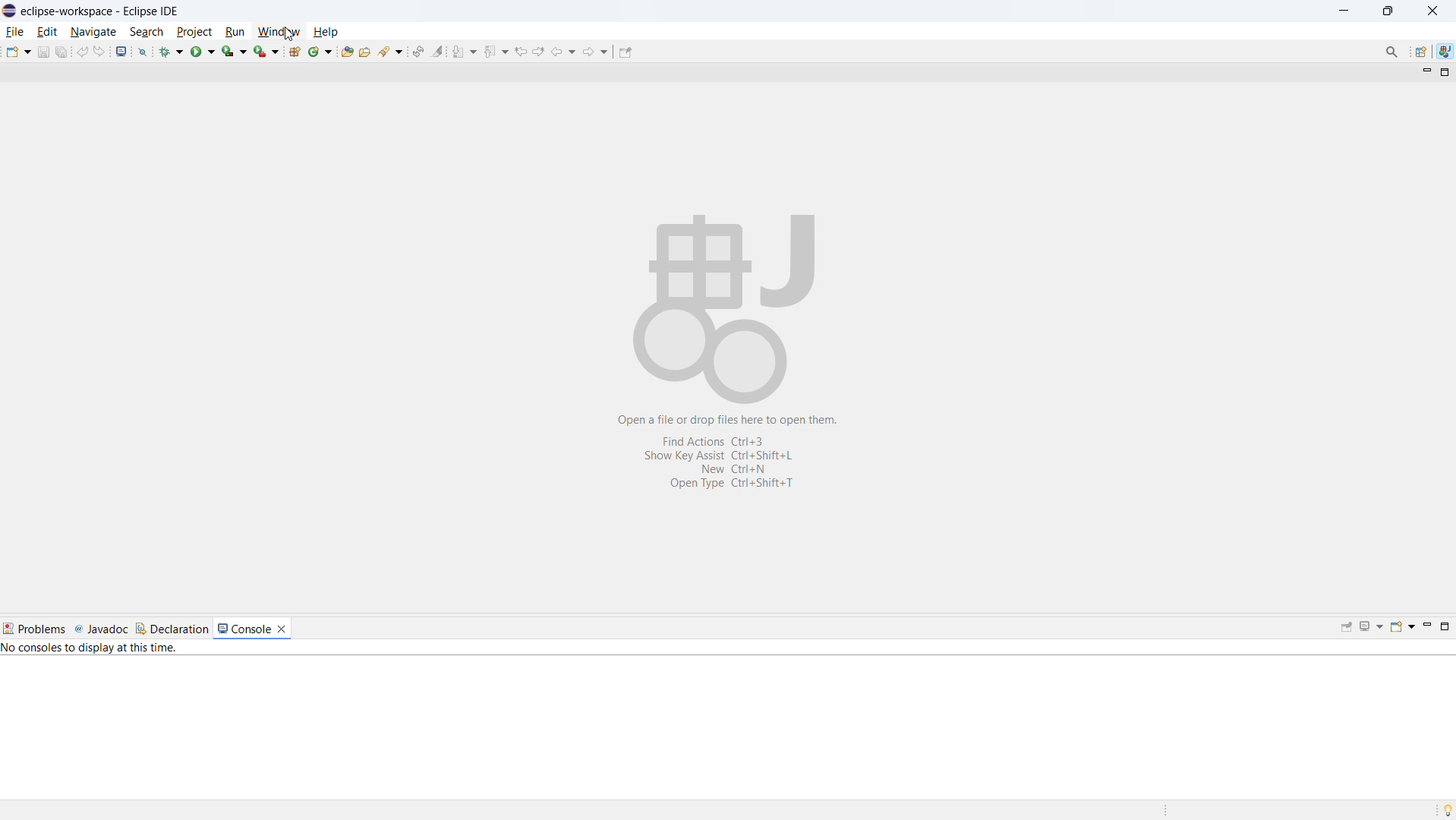 The height and width of the screenshot is (820, 1456). I want to click on No consoles to display at this time., so click(96, 650).